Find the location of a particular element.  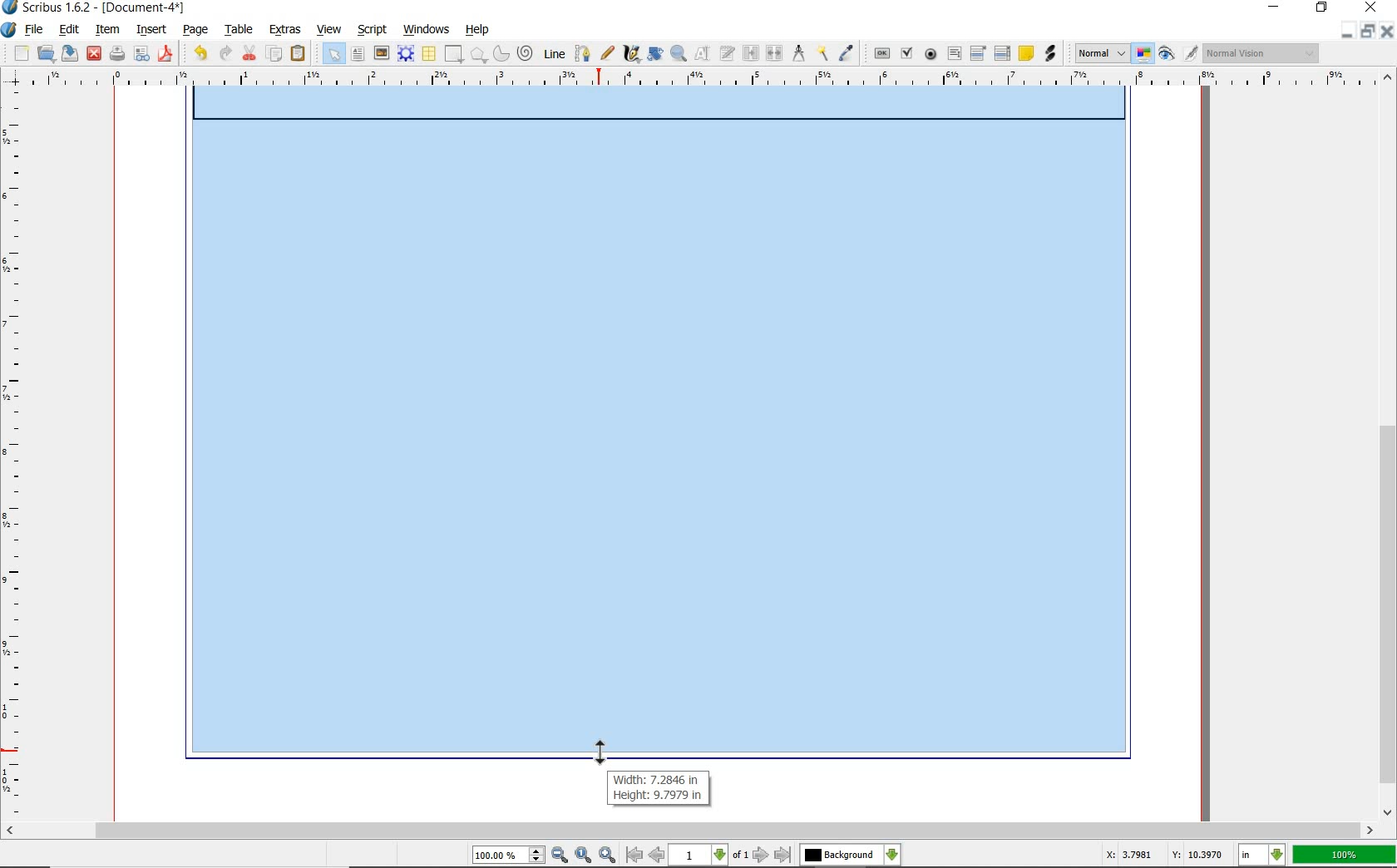

preflight verifier is located at coordinates (142, 54).